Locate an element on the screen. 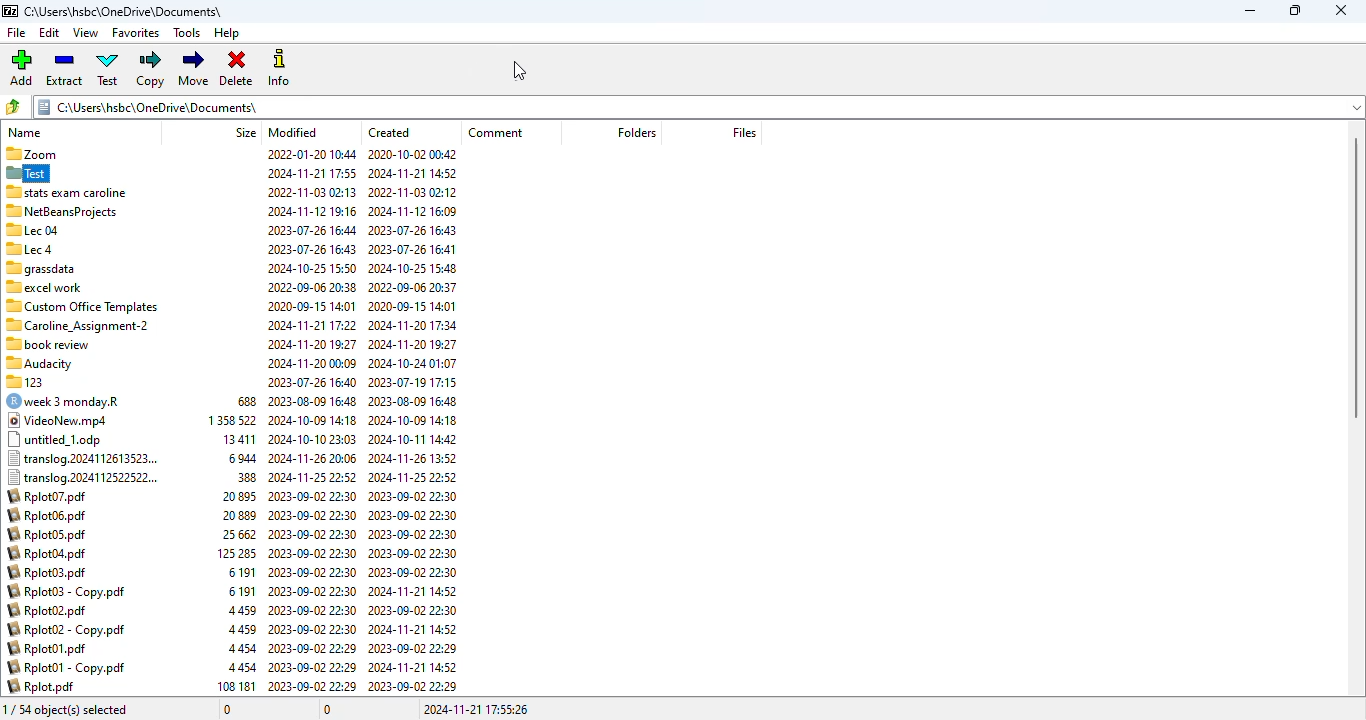 Image resolution: width=1366 pixels, height=720 pixels. folders is located at coordinates (635, 132).